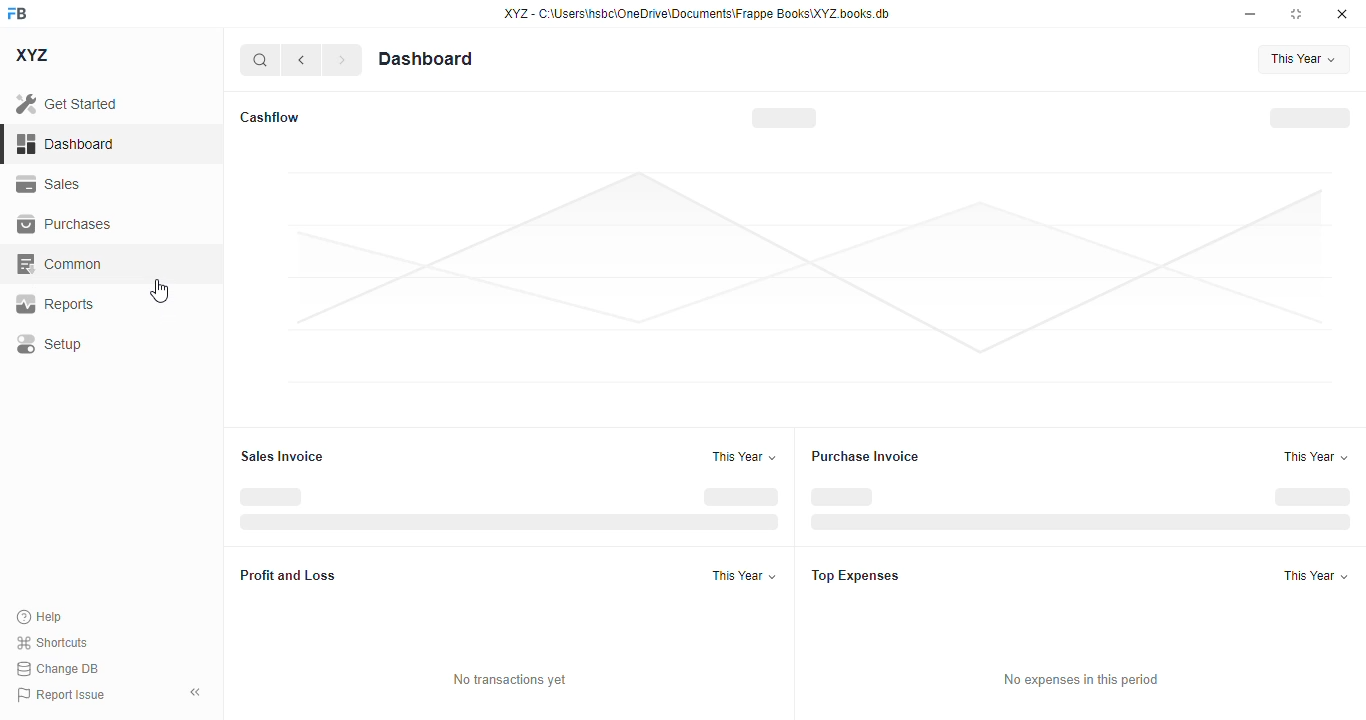  I want to click on cashflow, so click(268, 117).